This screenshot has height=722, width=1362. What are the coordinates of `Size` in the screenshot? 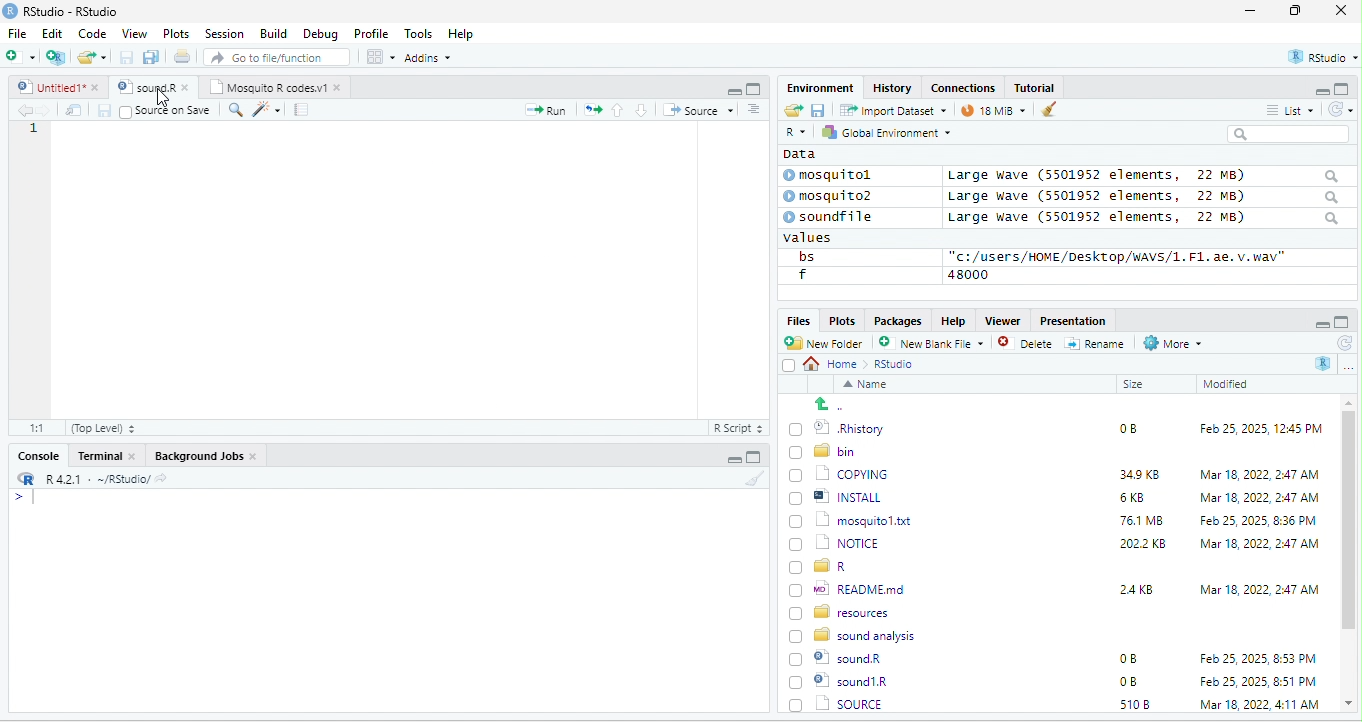 It's located at (1134, 385).